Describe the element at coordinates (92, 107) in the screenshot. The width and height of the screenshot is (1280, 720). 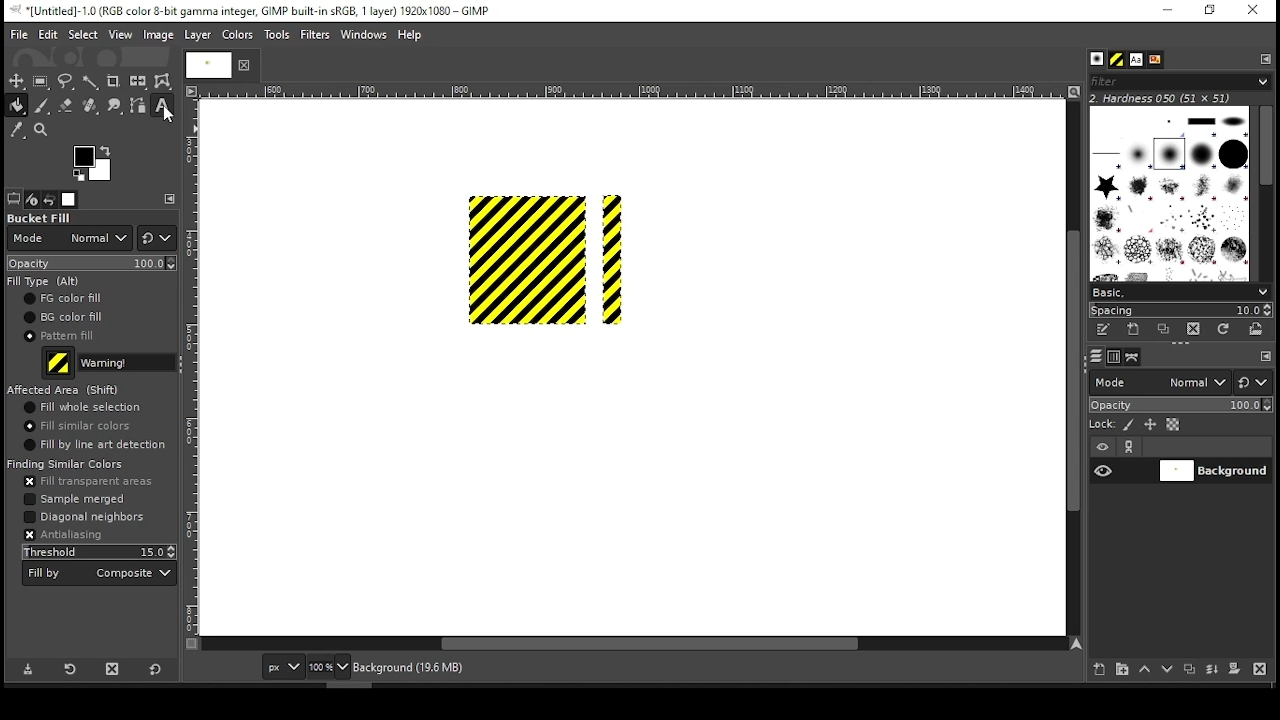
I see `heal tool` at that location.